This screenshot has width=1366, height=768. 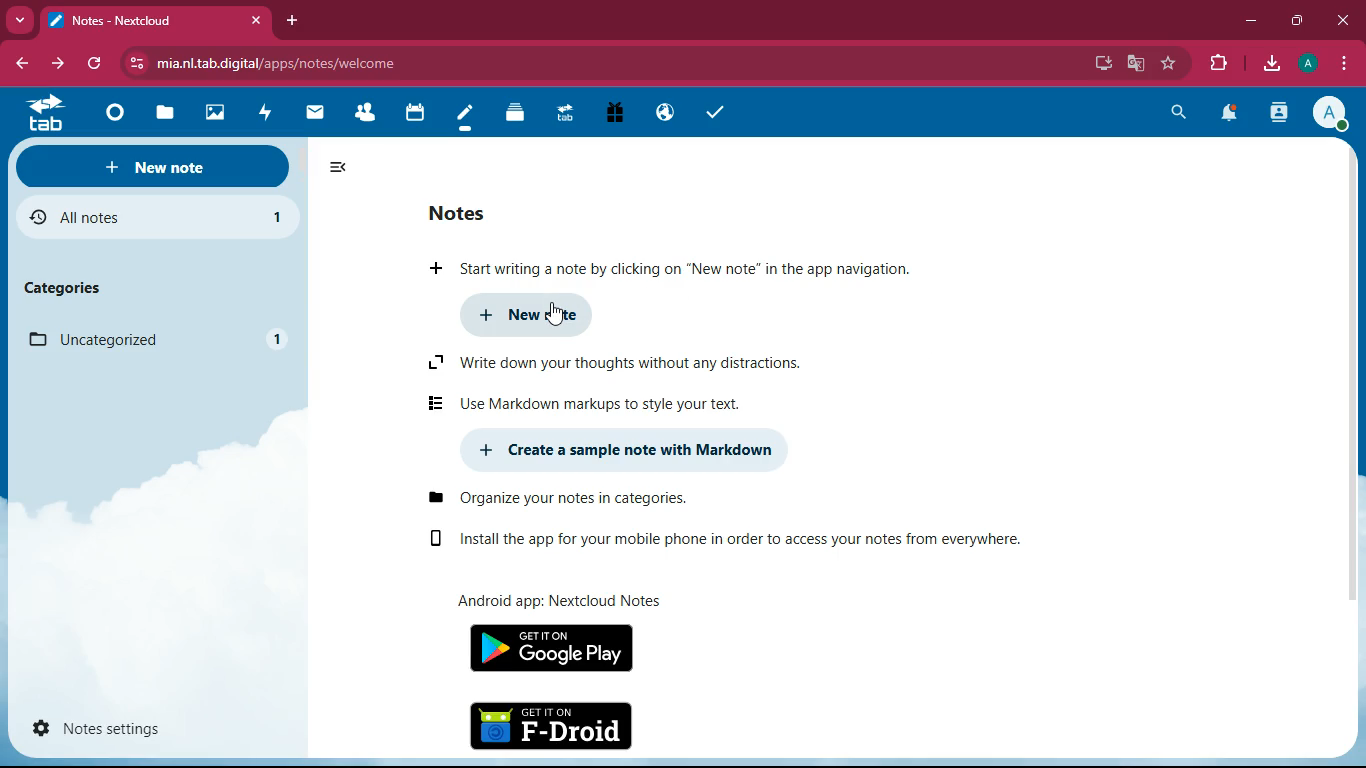 I want to click on new note, so click(x=528, y=313).